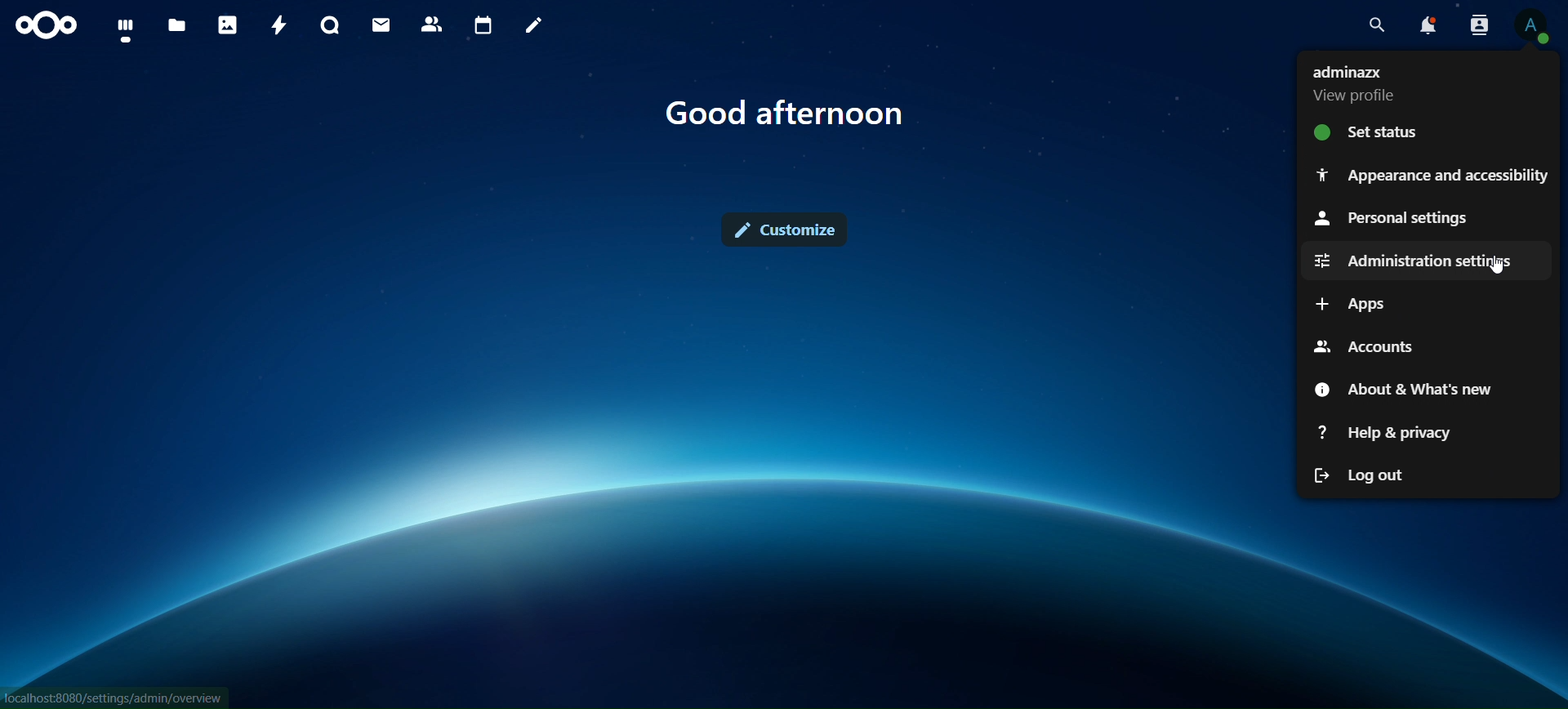  Describe the element at coordinates (1369, 81) in the screenshot. I see `view profile` at that location.